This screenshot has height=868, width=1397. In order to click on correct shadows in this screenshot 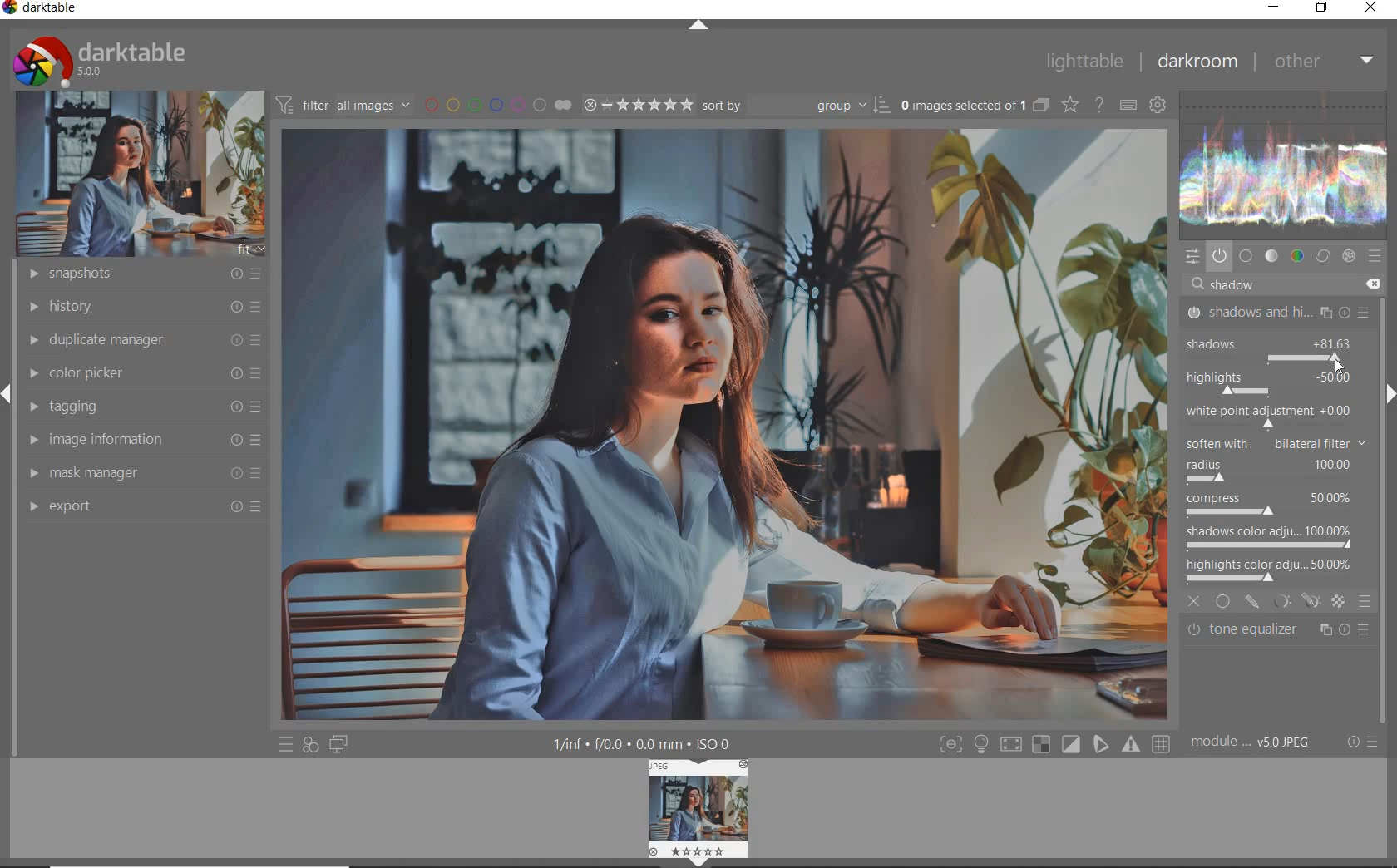, I will do `click(1281, 385)`.